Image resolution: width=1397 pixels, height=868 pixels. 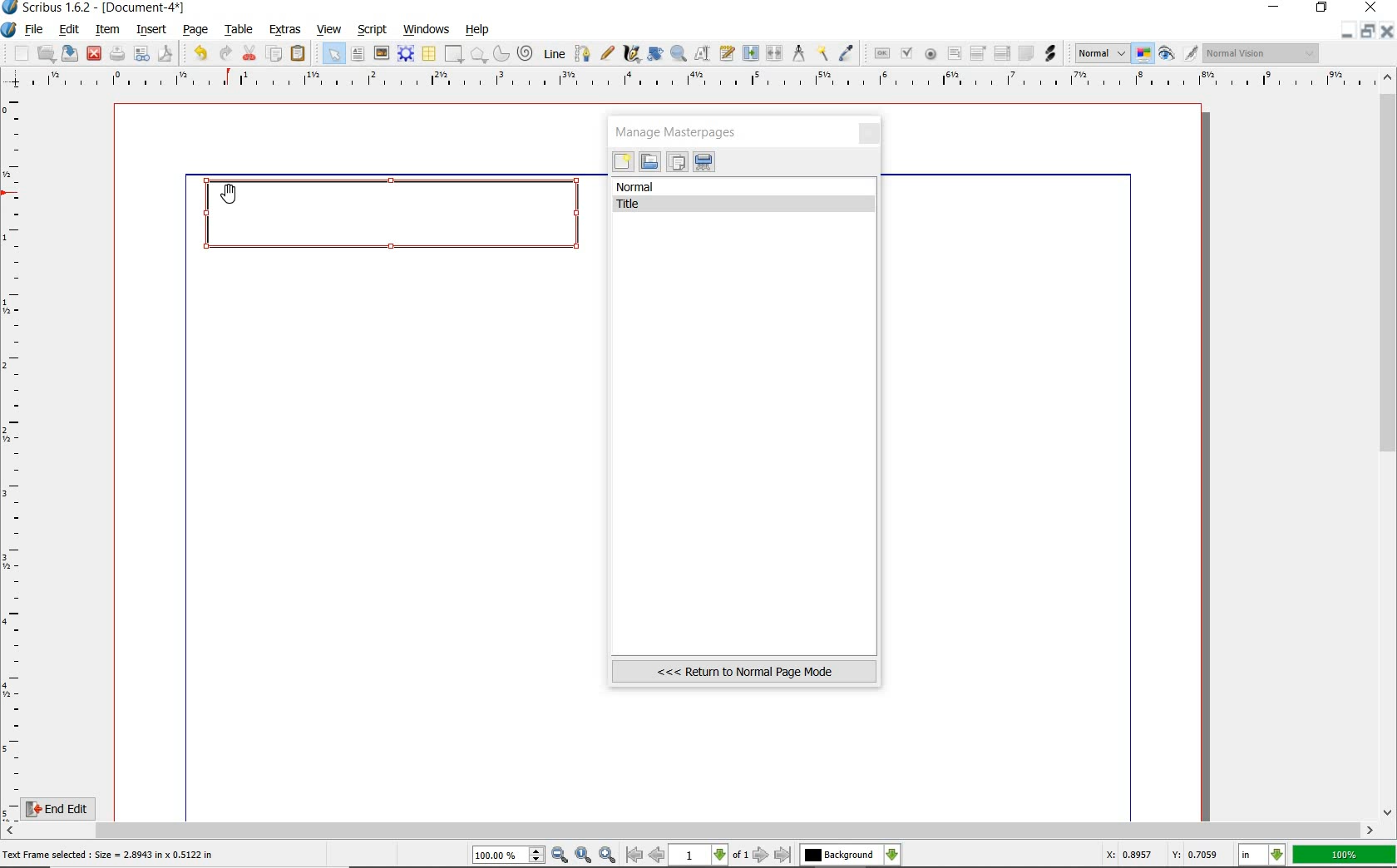 What do you see at coordinates (728, 55) in the screenshot?
I see `edit text with story editor` at bounding box center [728, 55].